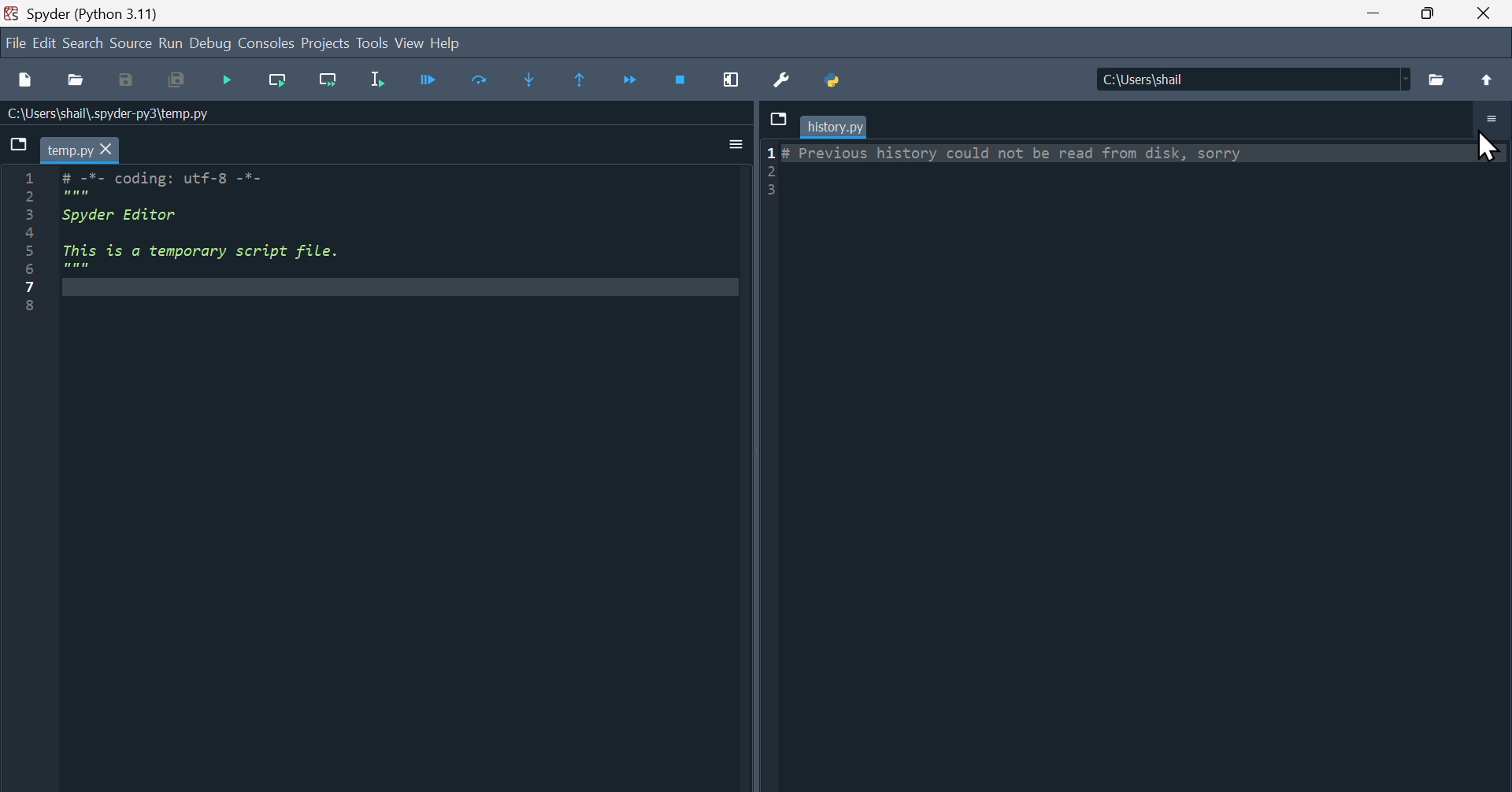  Describe the element at coordinates (1485, 13) in the screenshot. I see `Close` at that location.